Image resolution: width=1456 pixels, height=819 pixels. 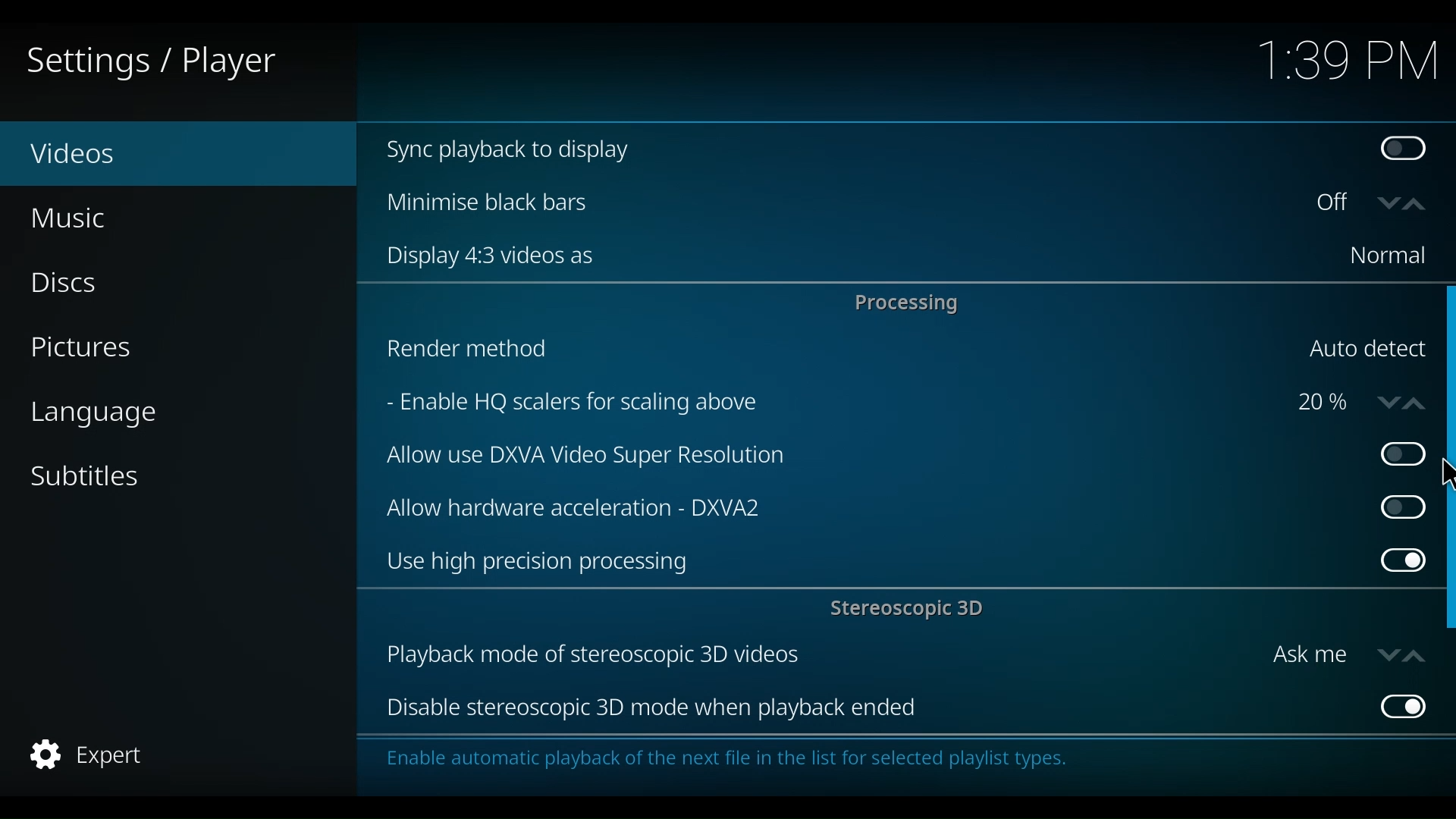 I want to click on Allow hardware acceleration -DXVA2, so click(x=864, y=506).